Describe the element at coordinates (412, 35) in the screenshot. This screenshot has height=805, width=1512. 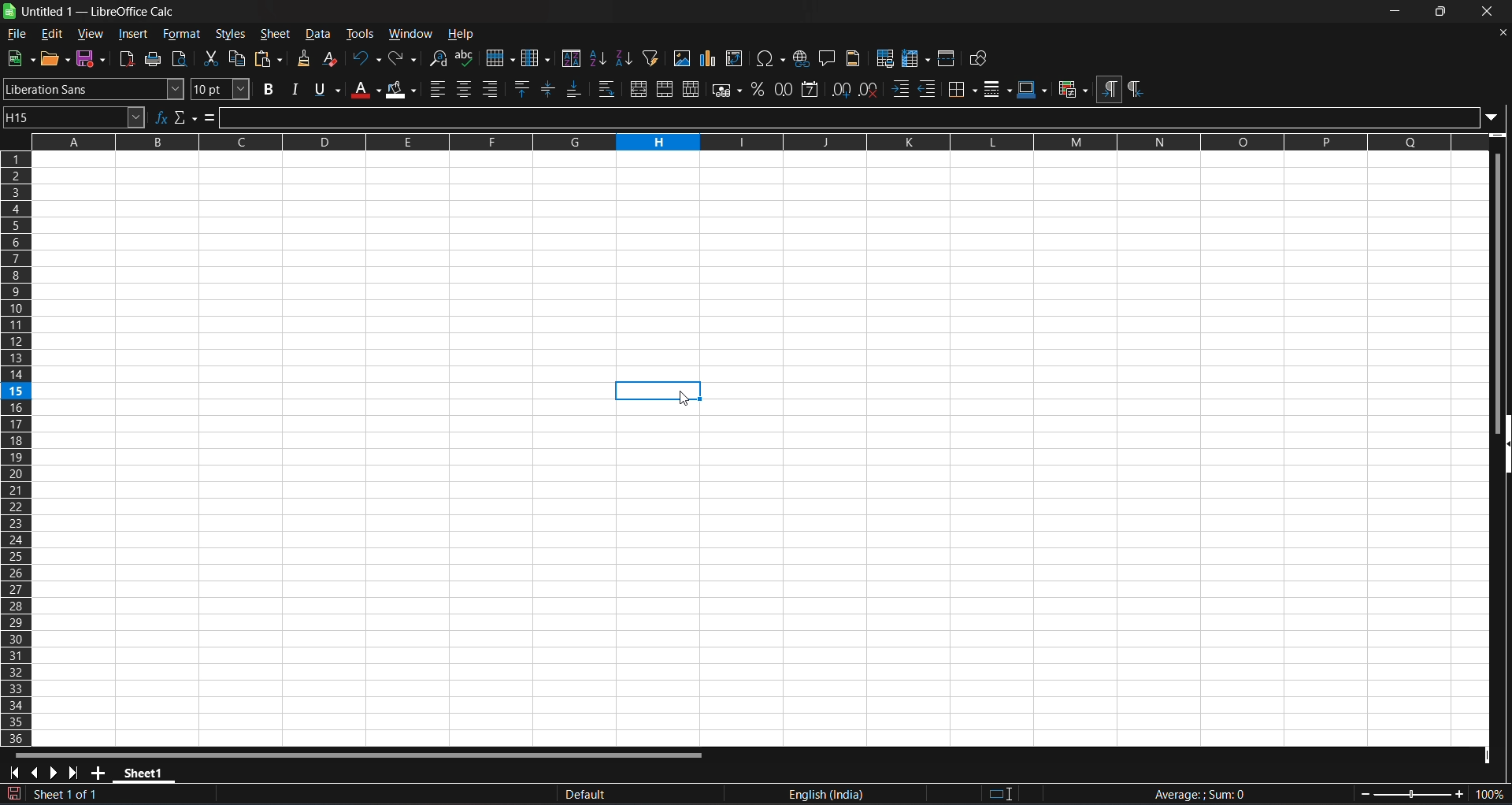
I see `window` at that location.